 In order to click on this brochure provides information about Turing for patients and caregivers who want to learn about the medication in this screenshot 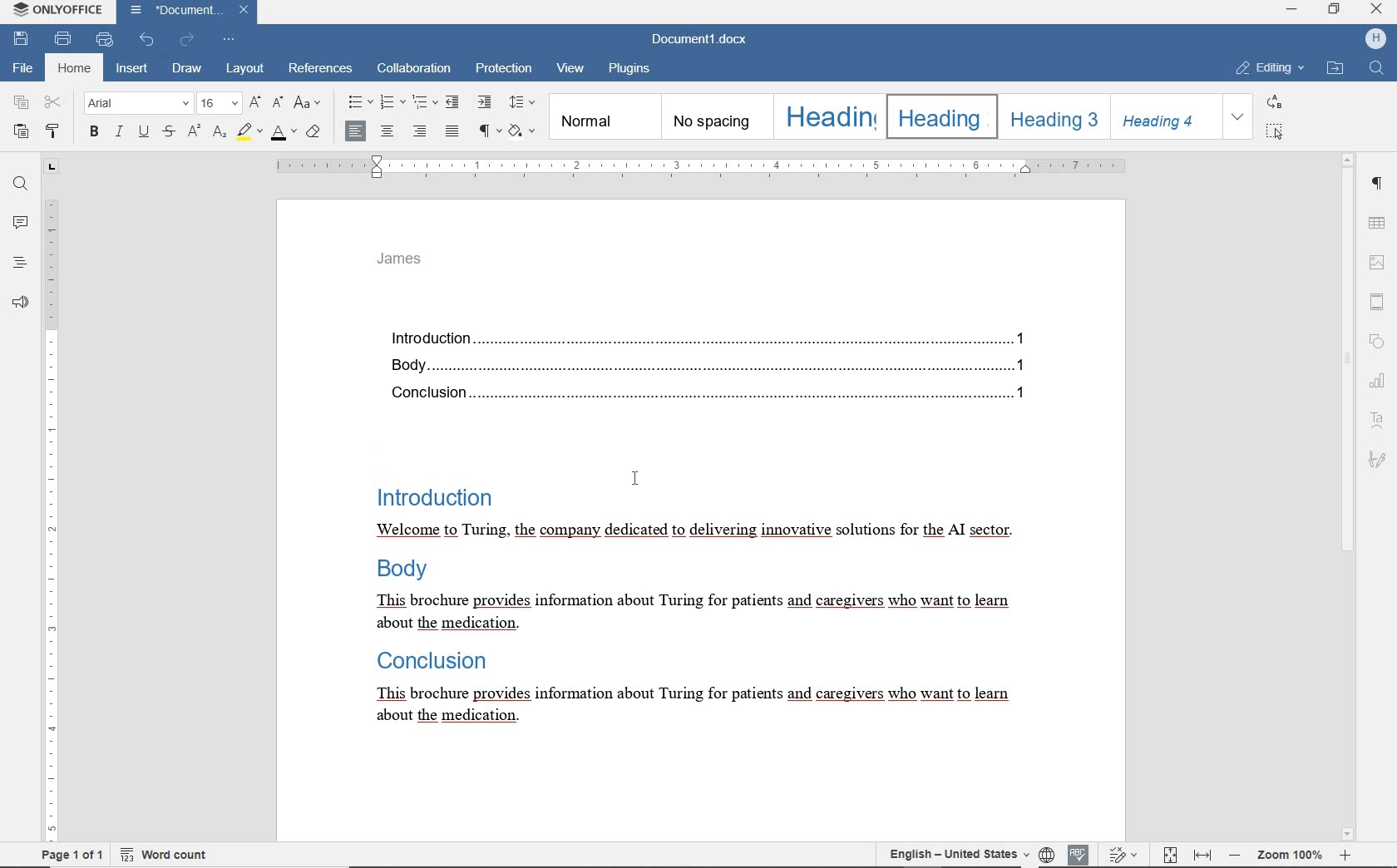, I will do `click(683, 611)`.